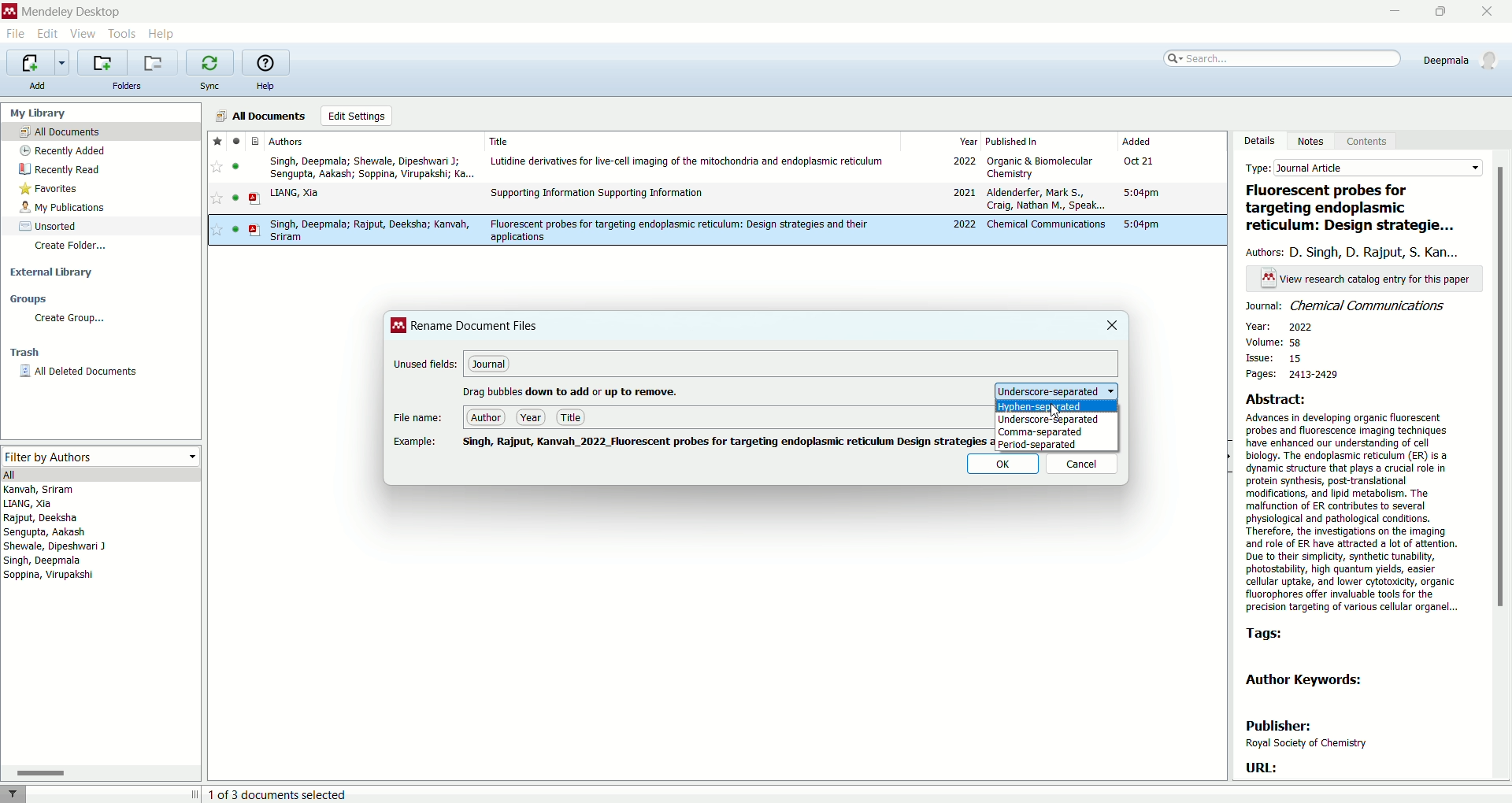  I want to click on trash, so click(25, 354).